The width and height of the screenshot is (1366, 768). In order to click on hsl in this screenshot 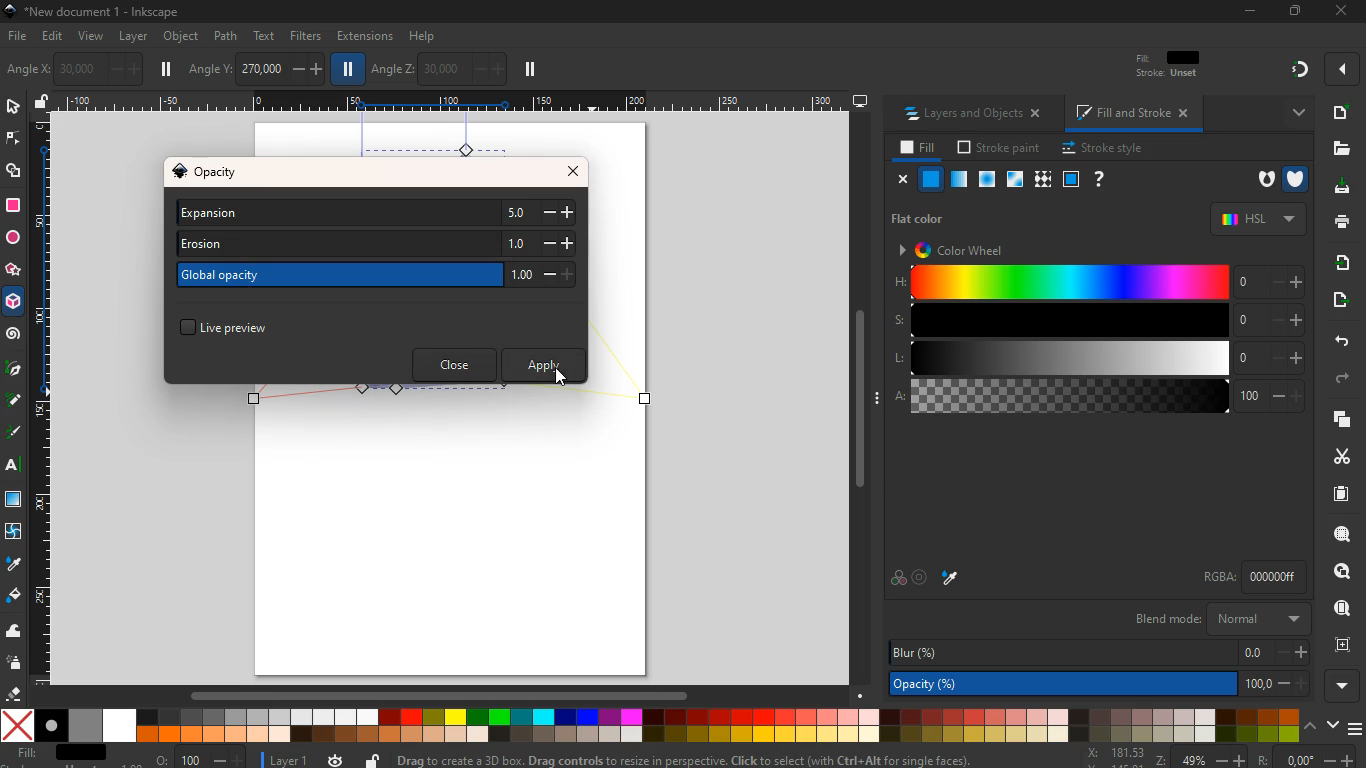, I will do `click(1256, 219)`.